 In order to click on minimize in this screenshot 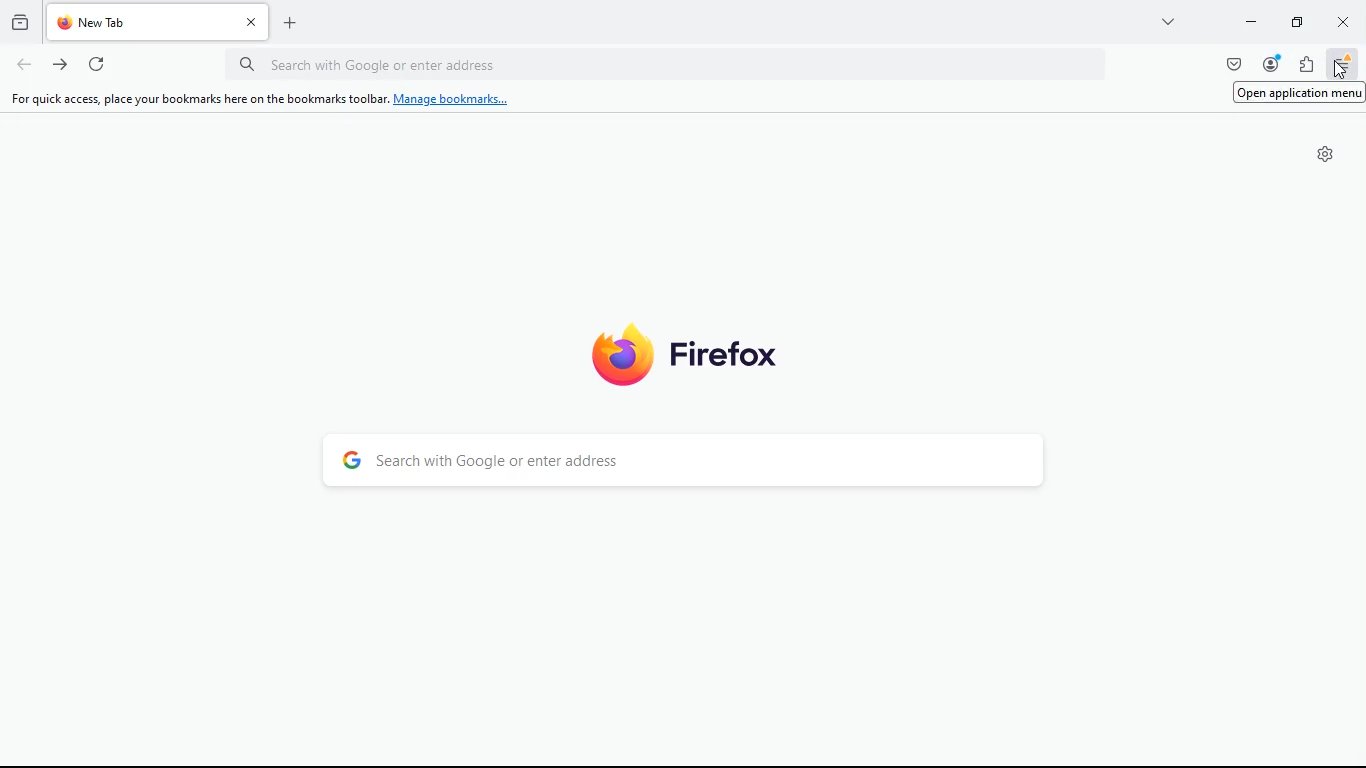, I will do `click(1249, 24)`.